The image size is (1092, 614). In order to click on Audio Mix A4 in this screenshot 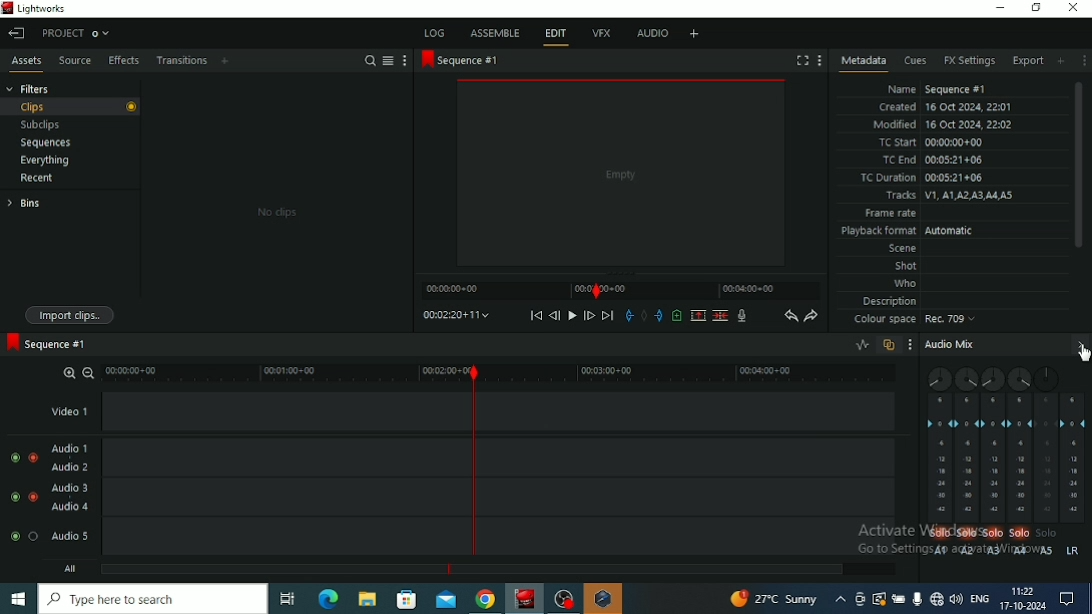, I will do `click(1021, 458)`.